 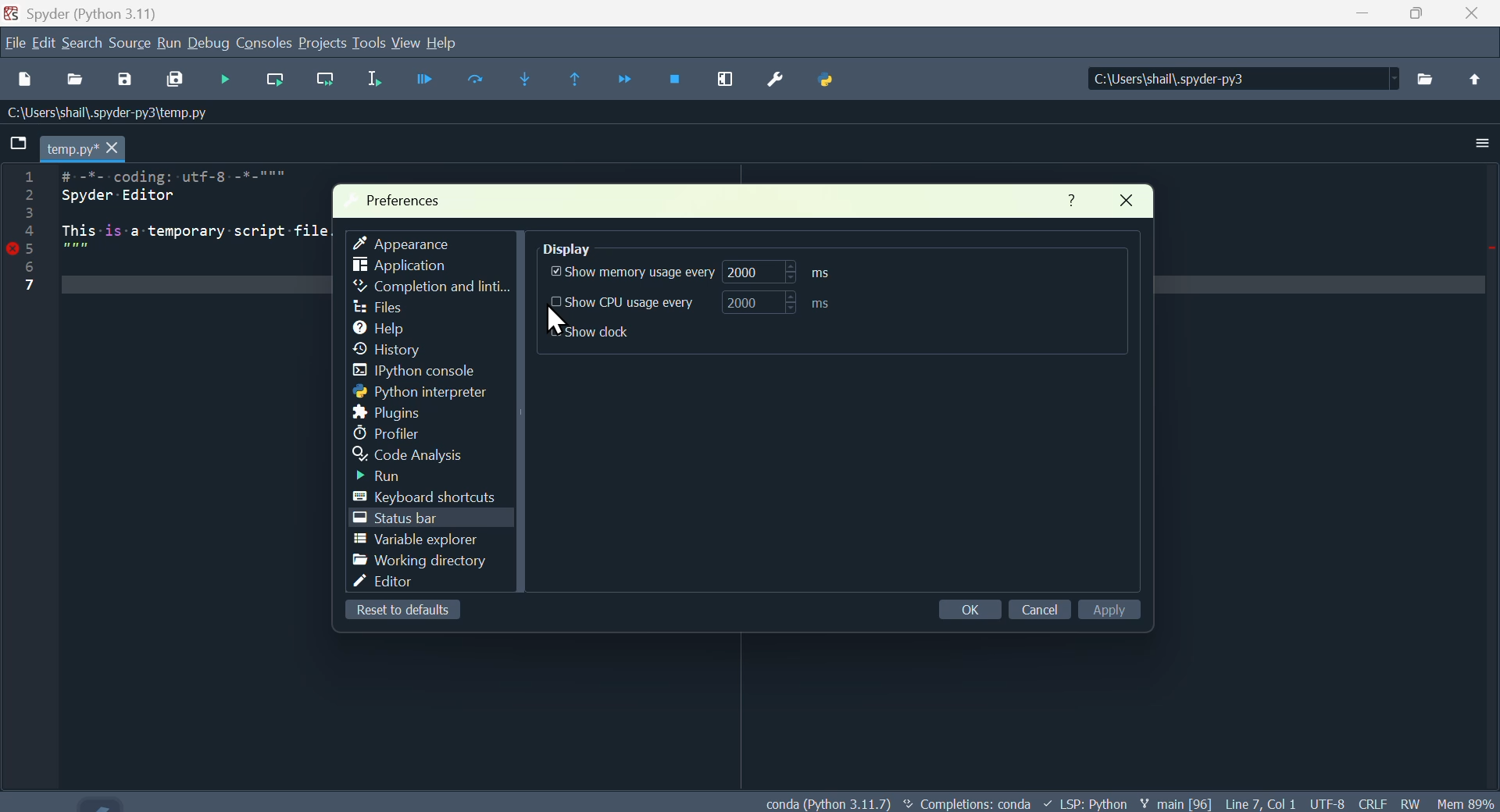 I want to click on Line numbers, so click(x=20, y=238).